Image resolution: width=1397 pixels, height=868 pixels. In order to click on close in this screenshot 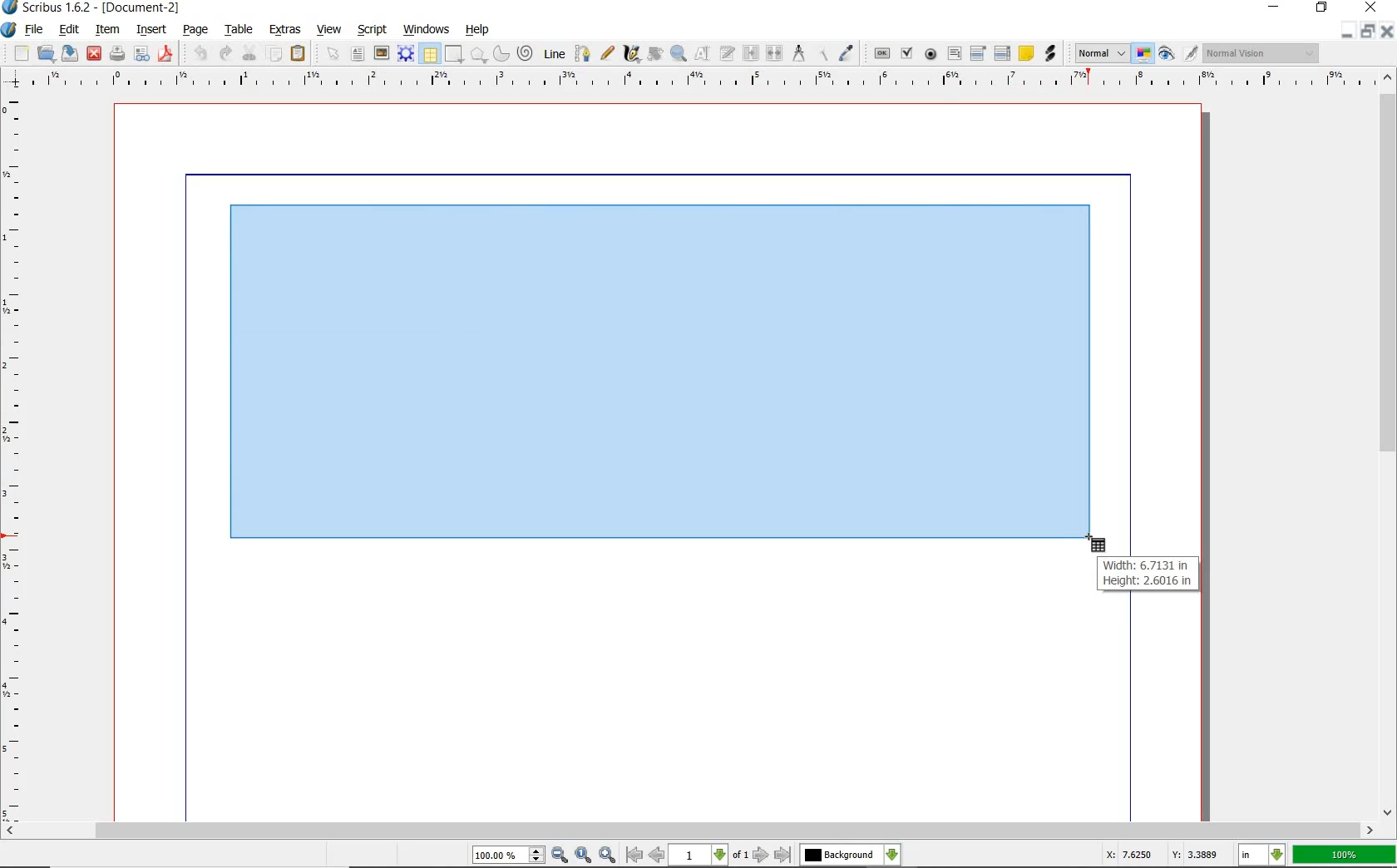, I will do `click(1370, 8)`.